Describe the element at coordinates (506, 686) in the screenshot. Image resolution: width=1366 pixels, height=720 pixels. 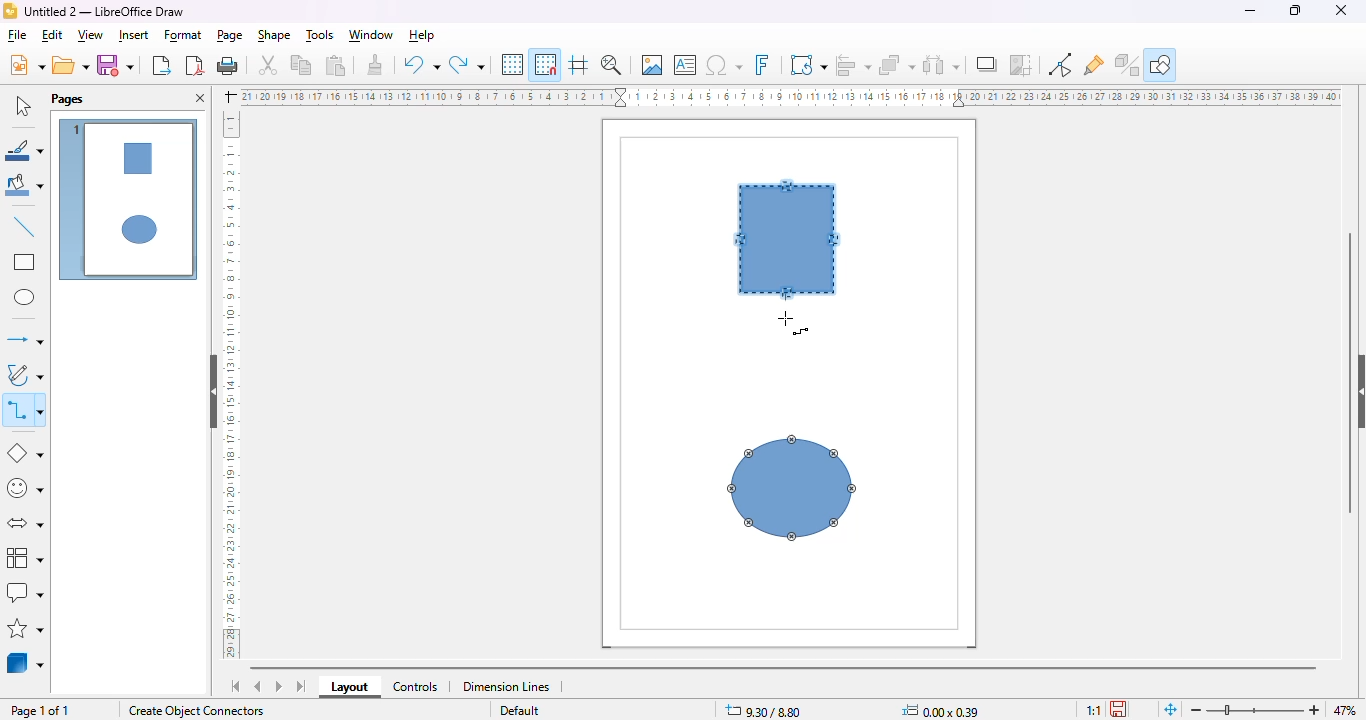
I see `dimension lines` at that location.